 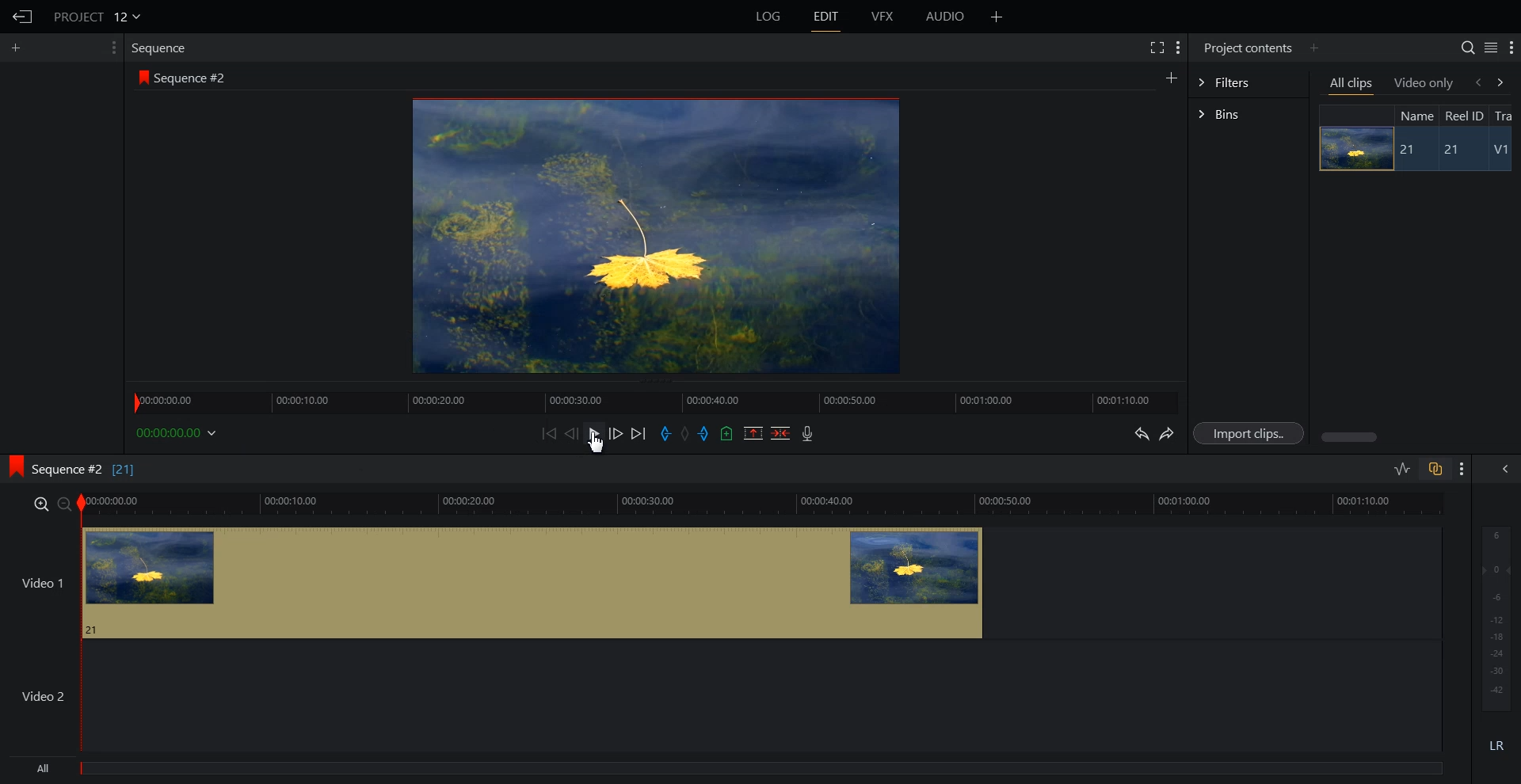 What do you see at coordinates (140, 77) in the screenshot?
I see `logo` at bounding box center [140, 77].